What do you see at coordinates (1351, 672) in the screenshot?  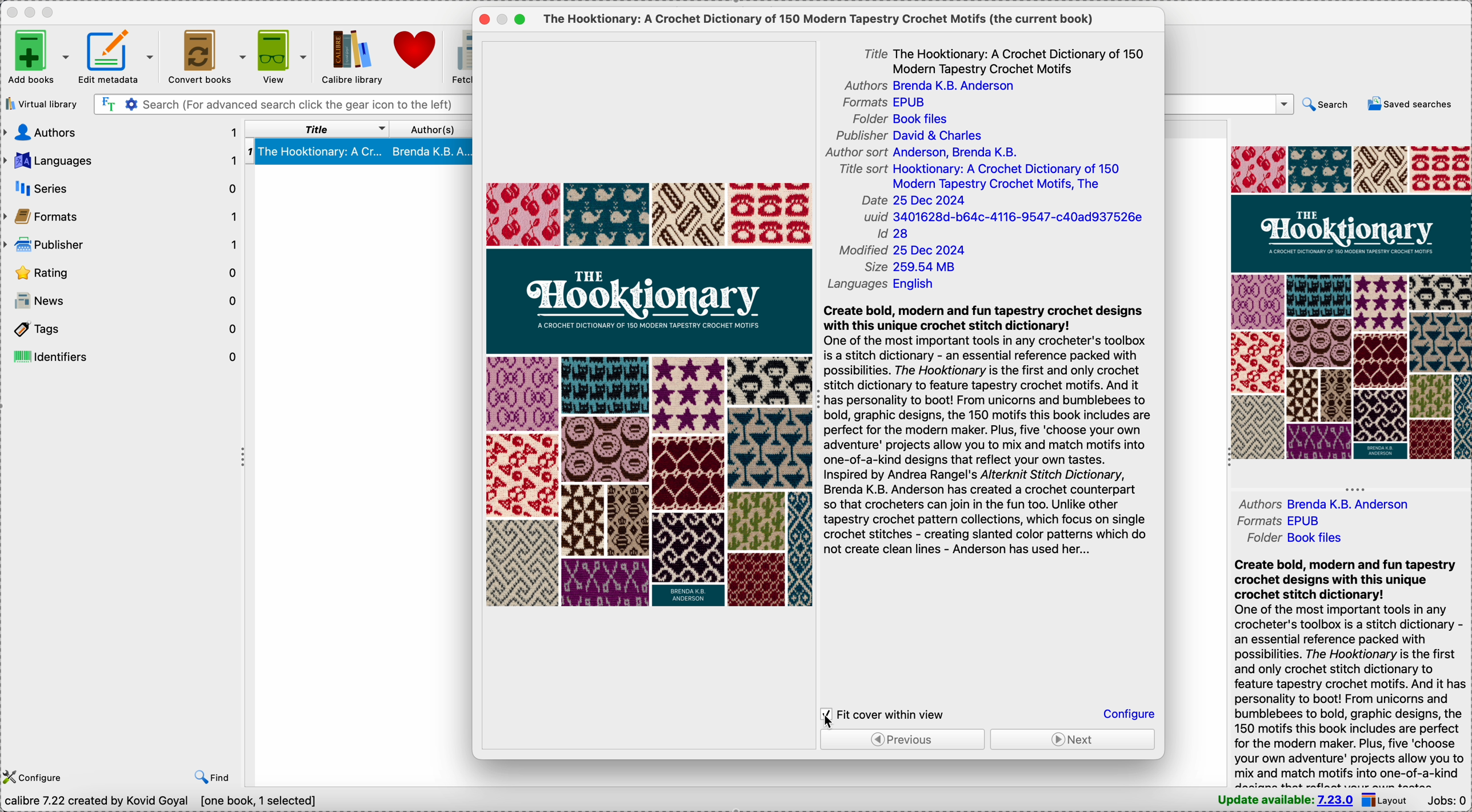 I see `synopsis` at bounding box center [1351, 672].